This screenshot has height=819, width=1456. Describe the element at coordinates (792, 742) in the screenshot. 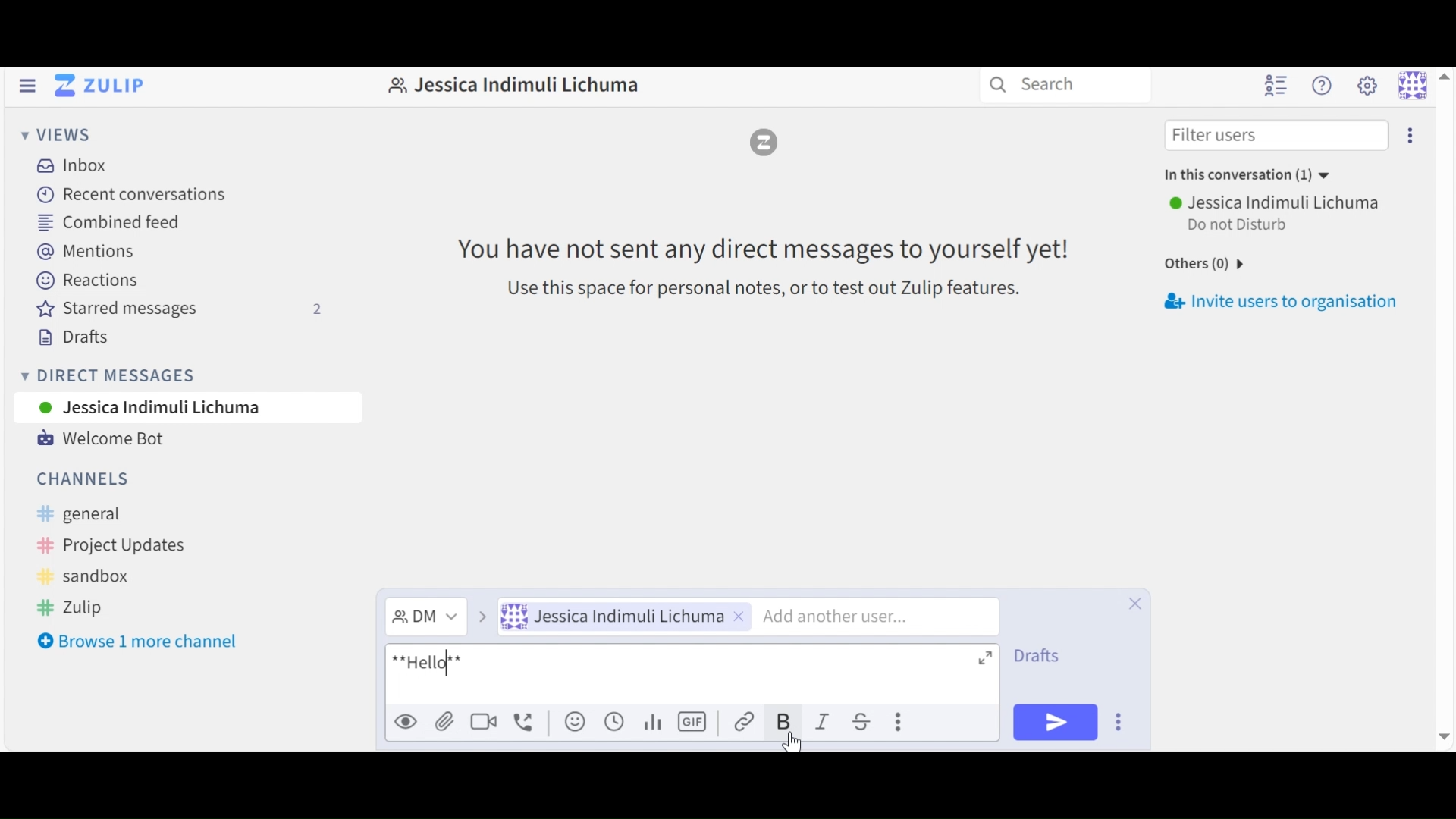

I see `cursor` at that location.